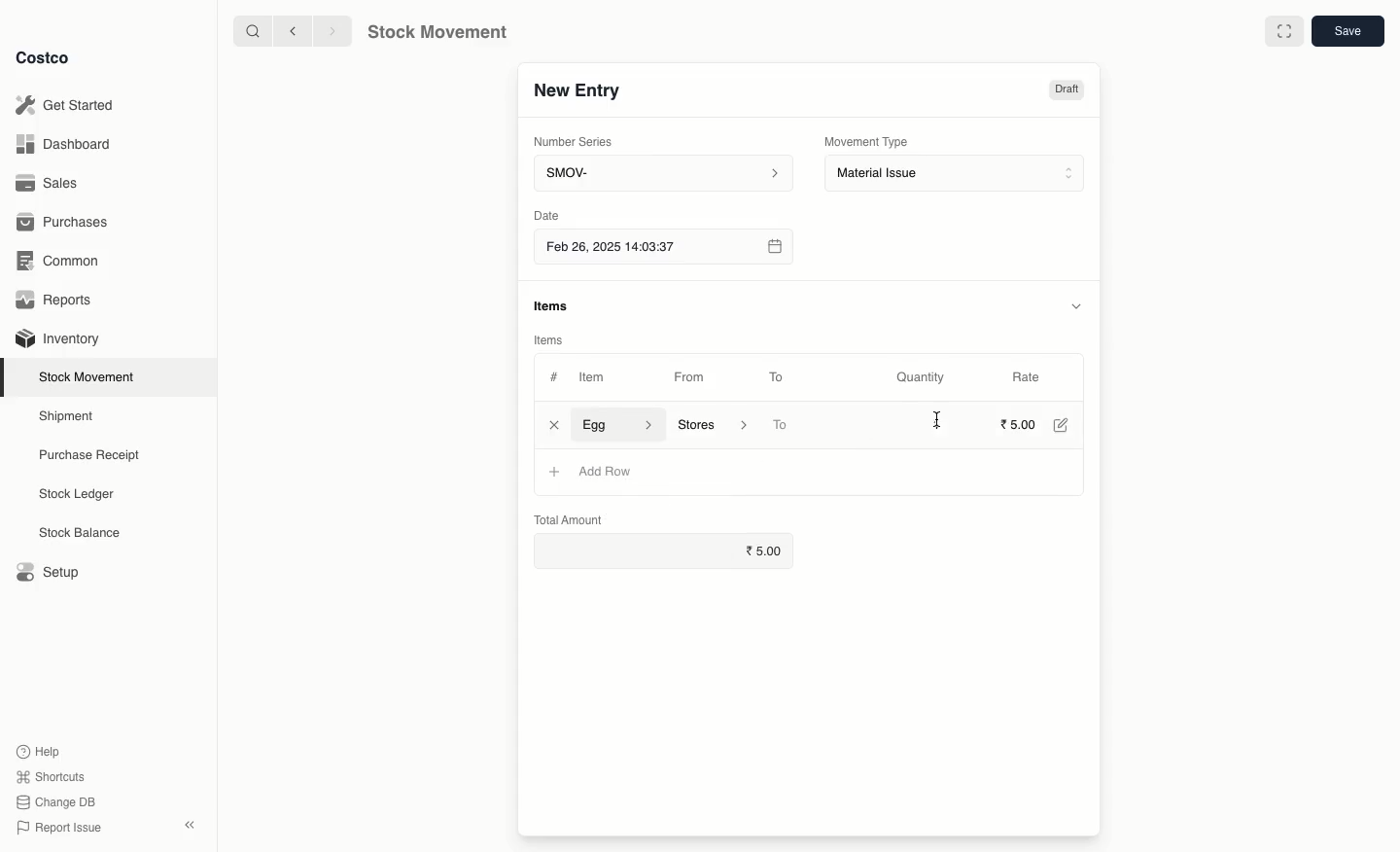 This screenshot has height=852, width=1400. Describe the element at coordinates (777, 376) in the screenshot. I see `To` at that location.